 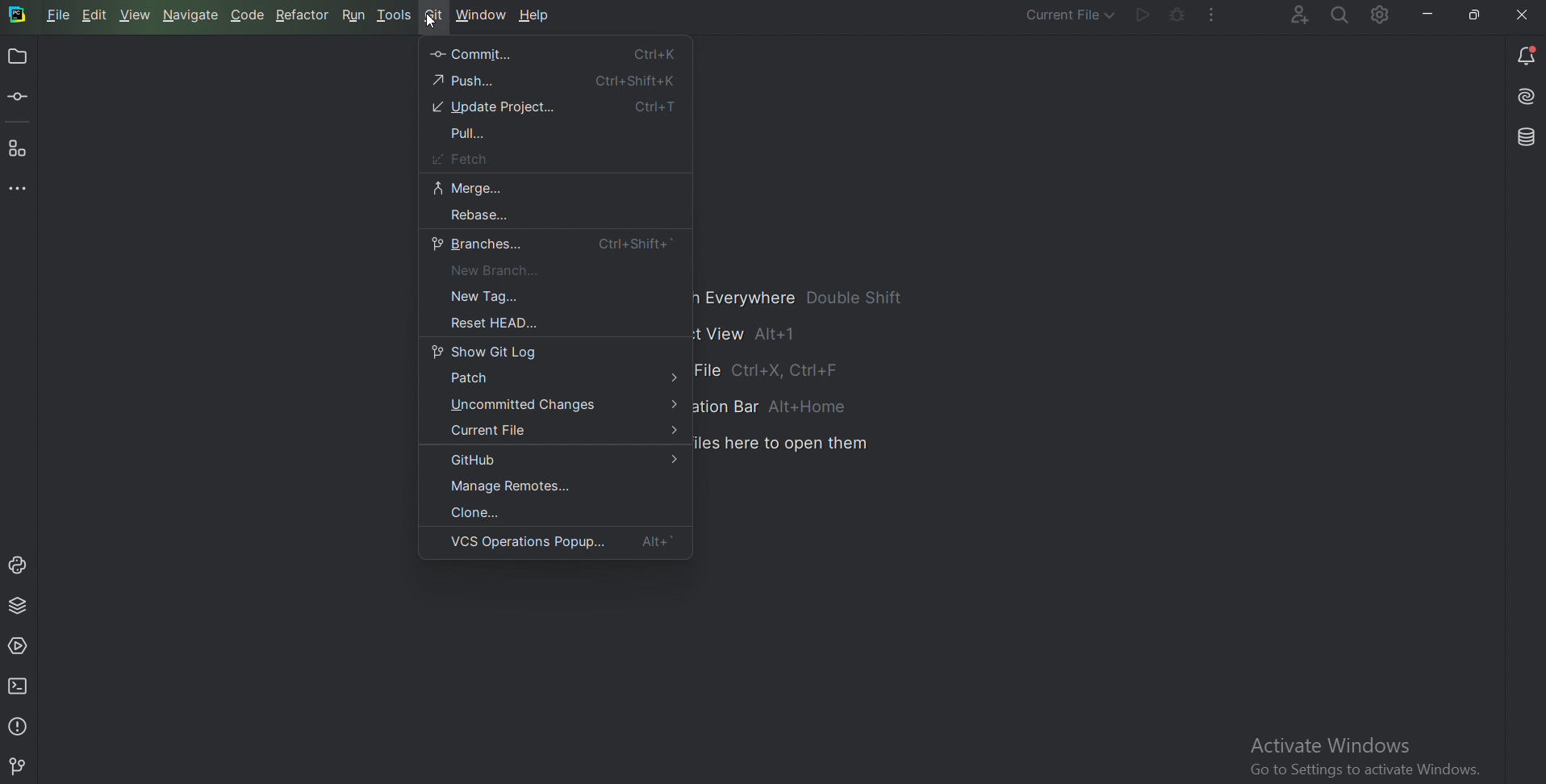 What do you see at coordinates (1527, 55) in the screenshot?
I see `Notification` at bounding box center [1527, 55].